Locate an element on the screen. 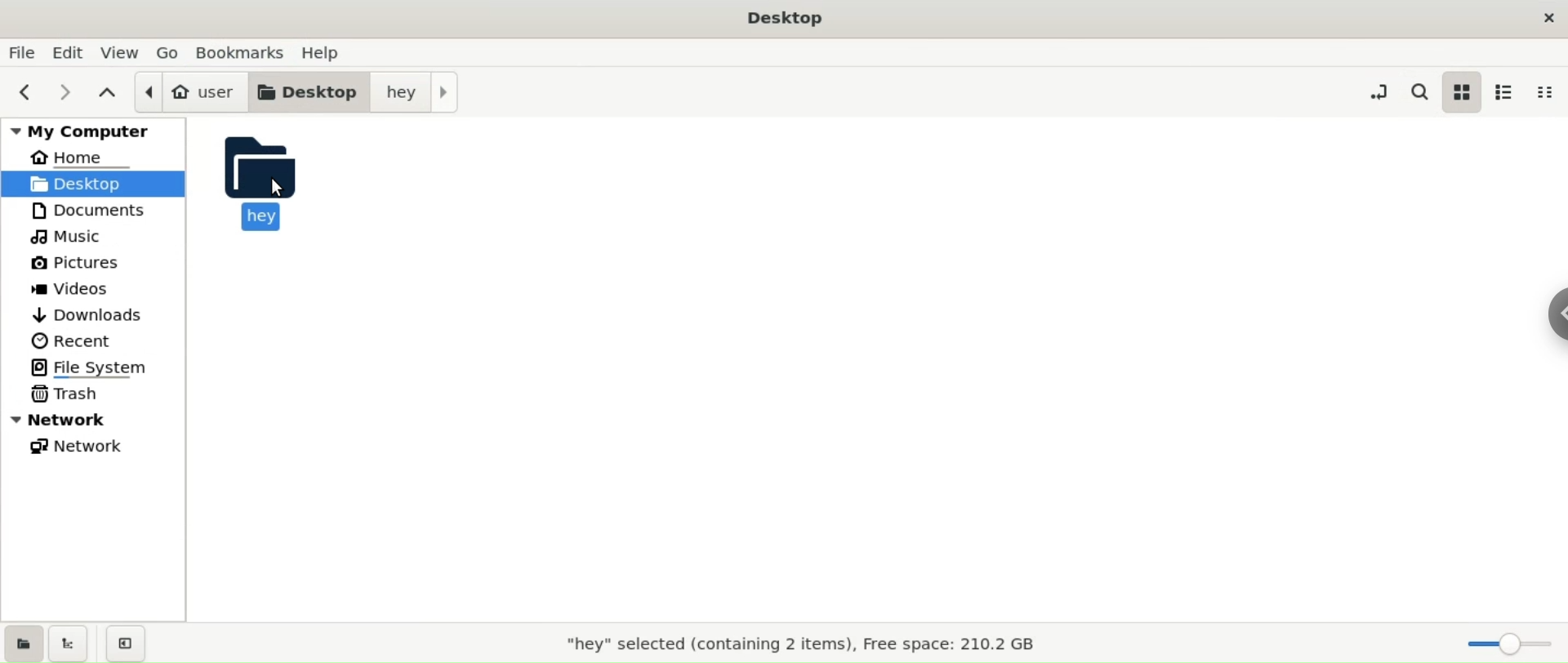 The width and height of the screenshot is (1568, 663). help is located at coordinates (326, 52).